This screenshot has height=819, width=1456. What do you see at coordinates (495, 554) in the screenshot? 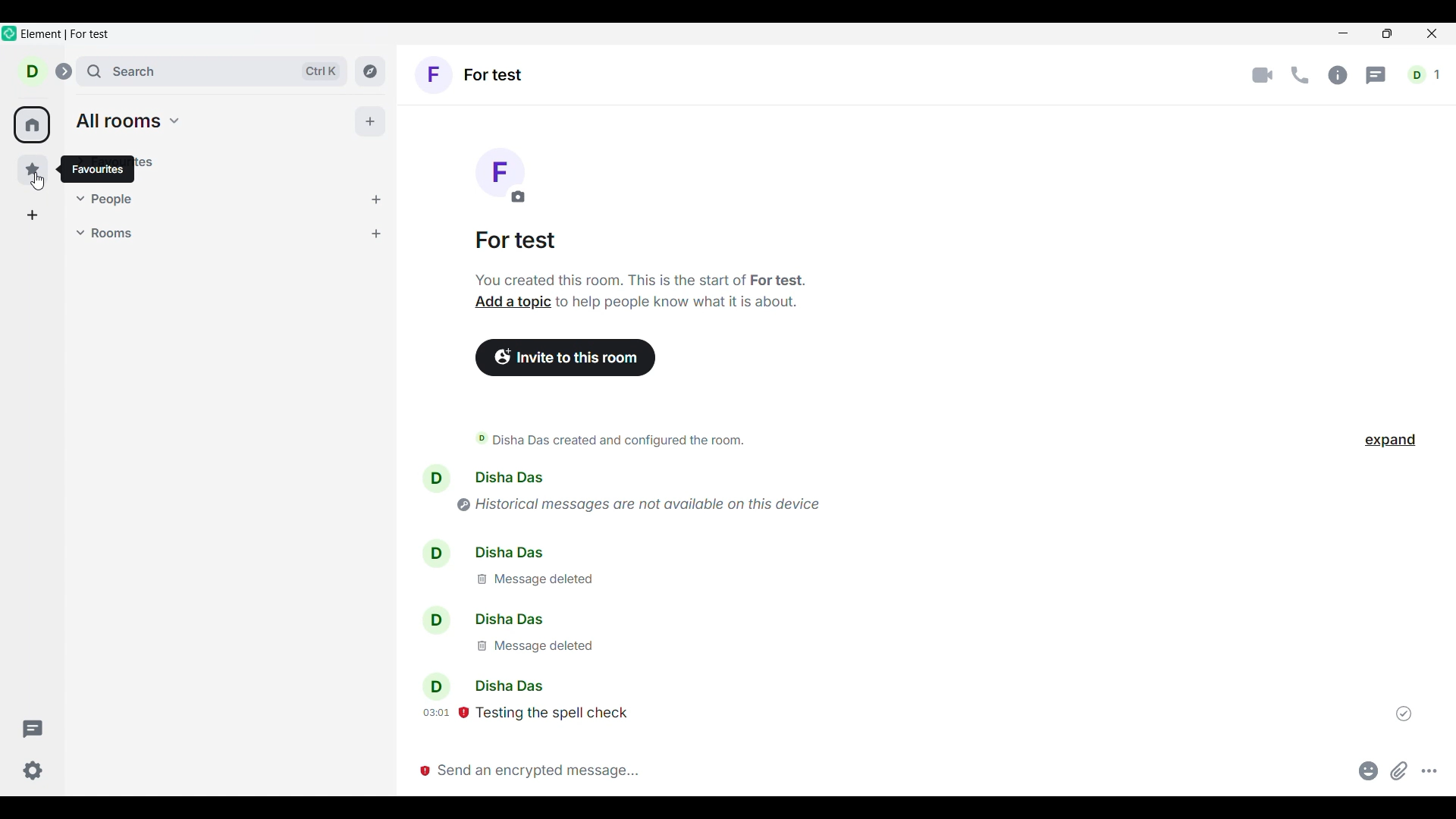
I see `disha das` at bounding box center [495, 554].